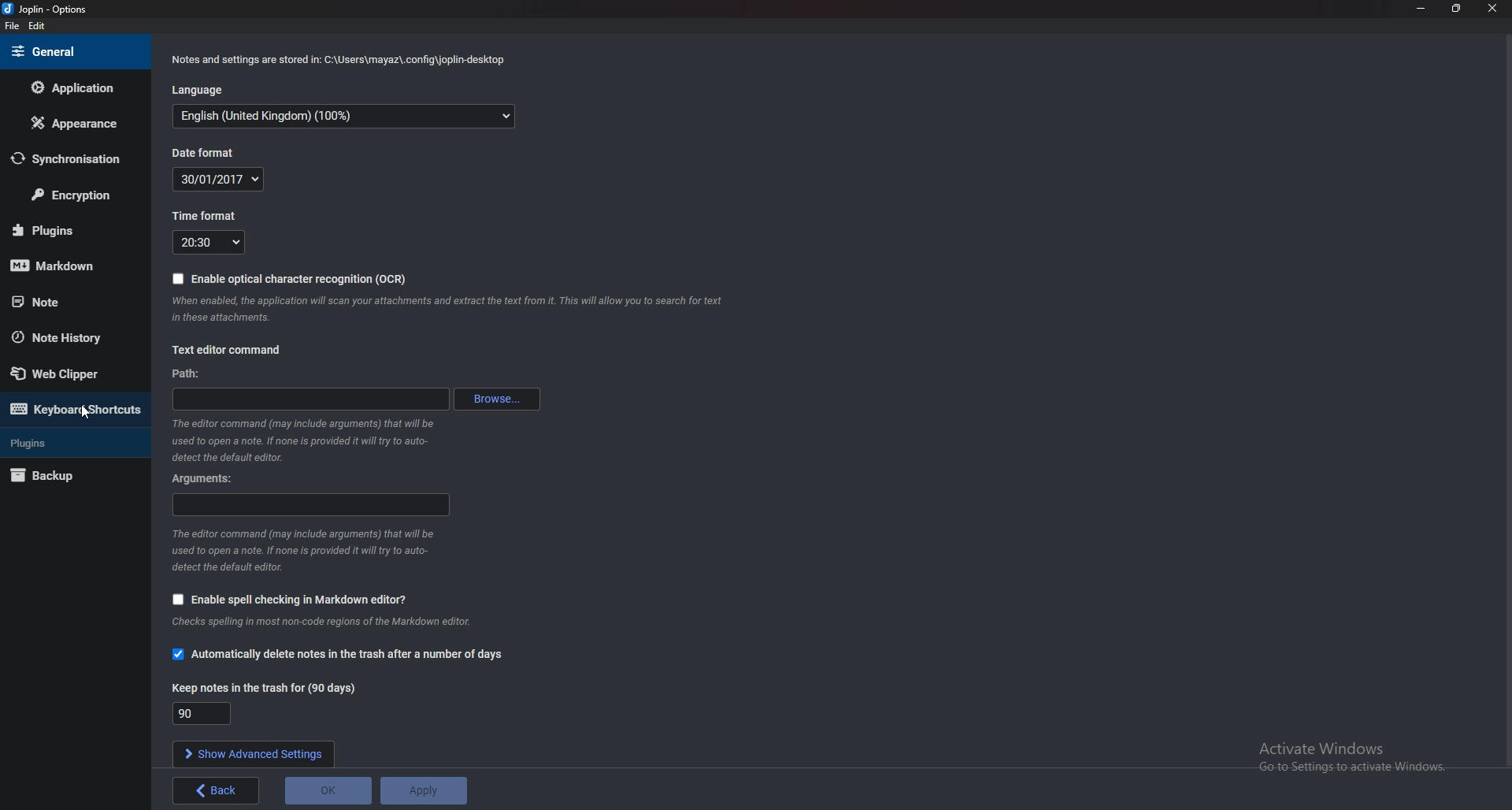 This screenshot has height=810, width=1512. What do you see at coordinates (303, 440) in the screenshot?
I see `The editor command (may include arguments) that will be
used to open a note. If none is provided it will ry to auto-
detect the default editor` at bounding box center [303, 440].